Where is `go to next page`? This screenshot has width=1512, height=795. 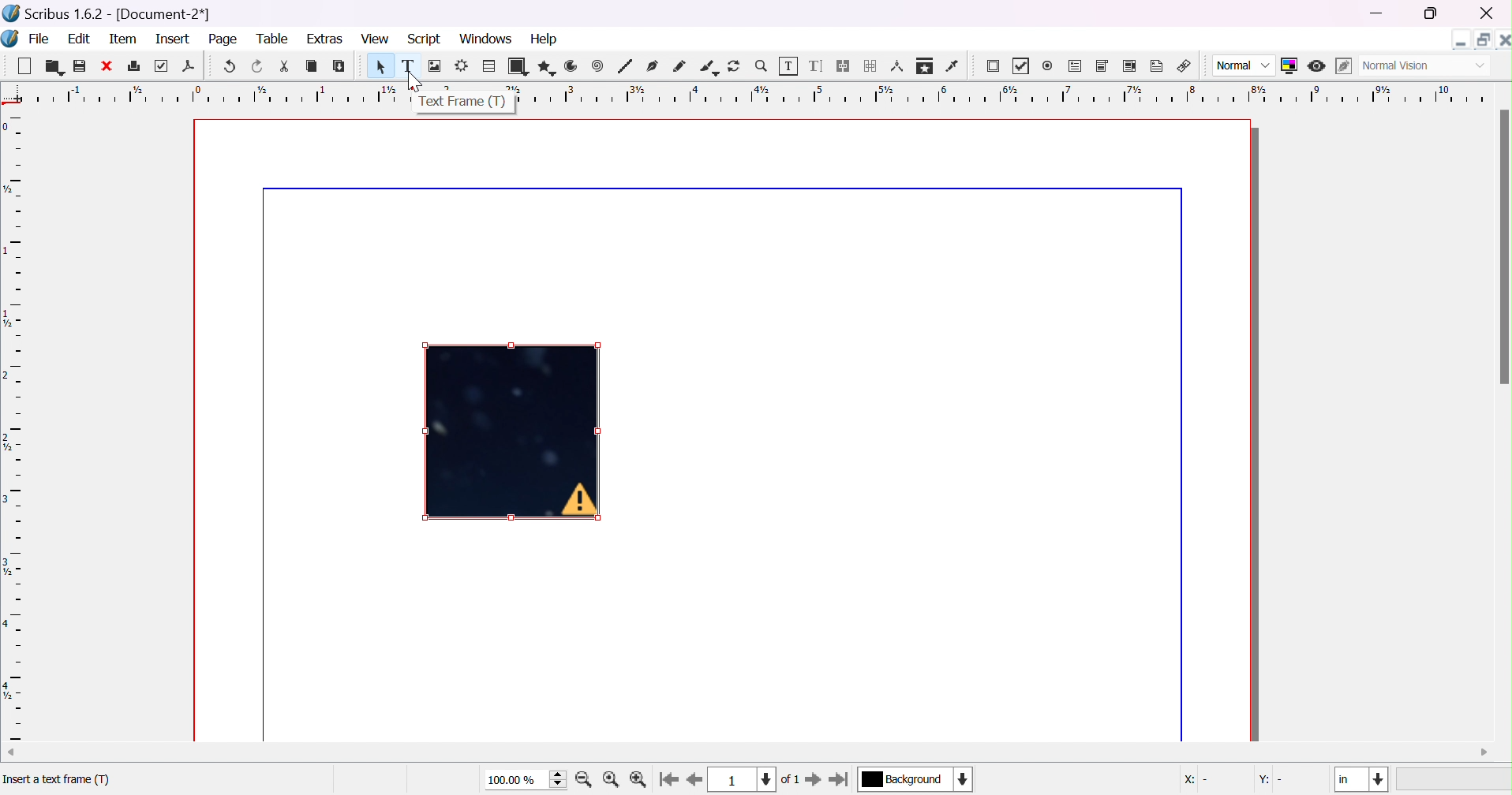 go to next page is located at coordinates (812, 779).